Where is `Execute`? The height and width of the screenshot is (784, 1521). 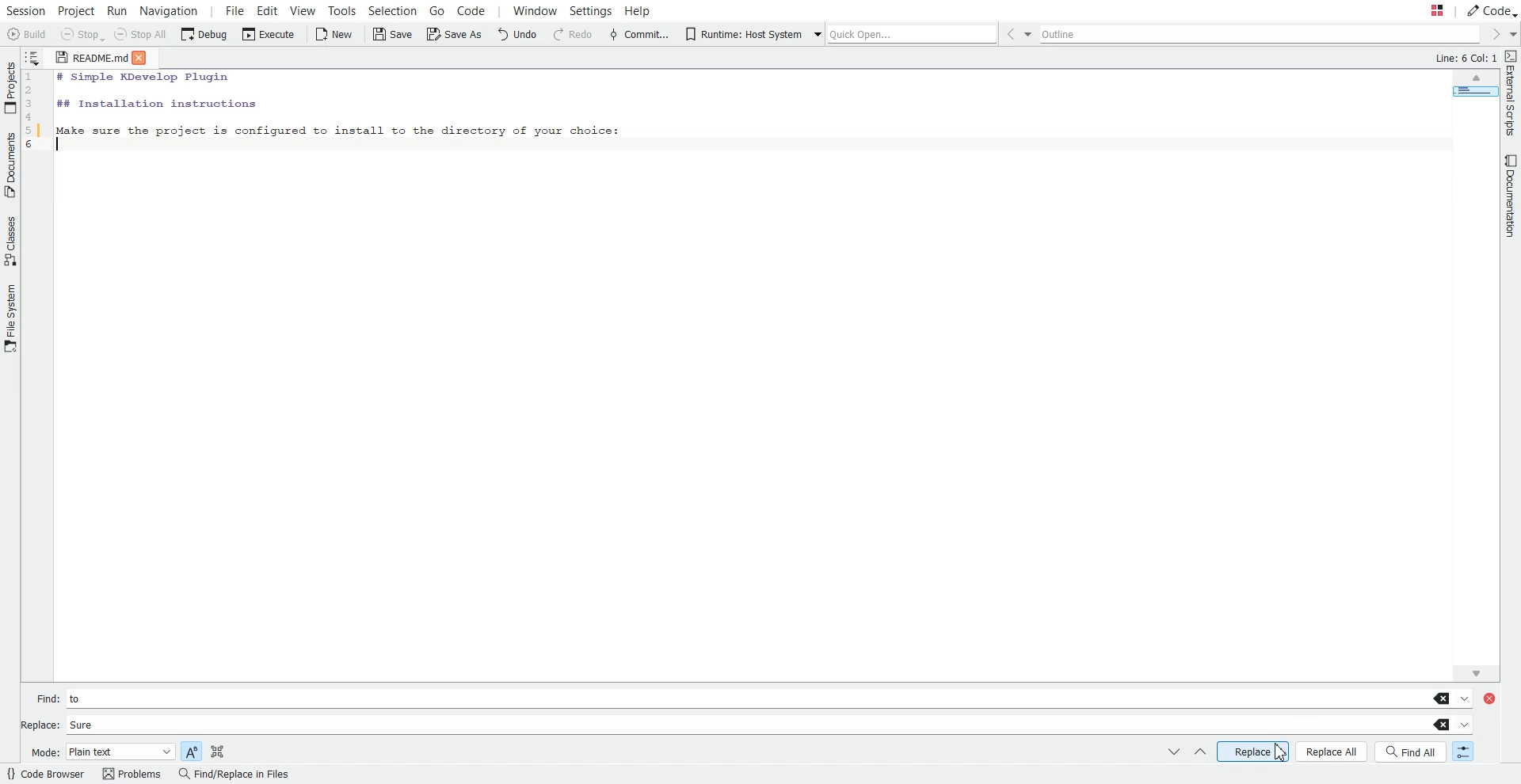 Execute is located at coordinates (266, 35).